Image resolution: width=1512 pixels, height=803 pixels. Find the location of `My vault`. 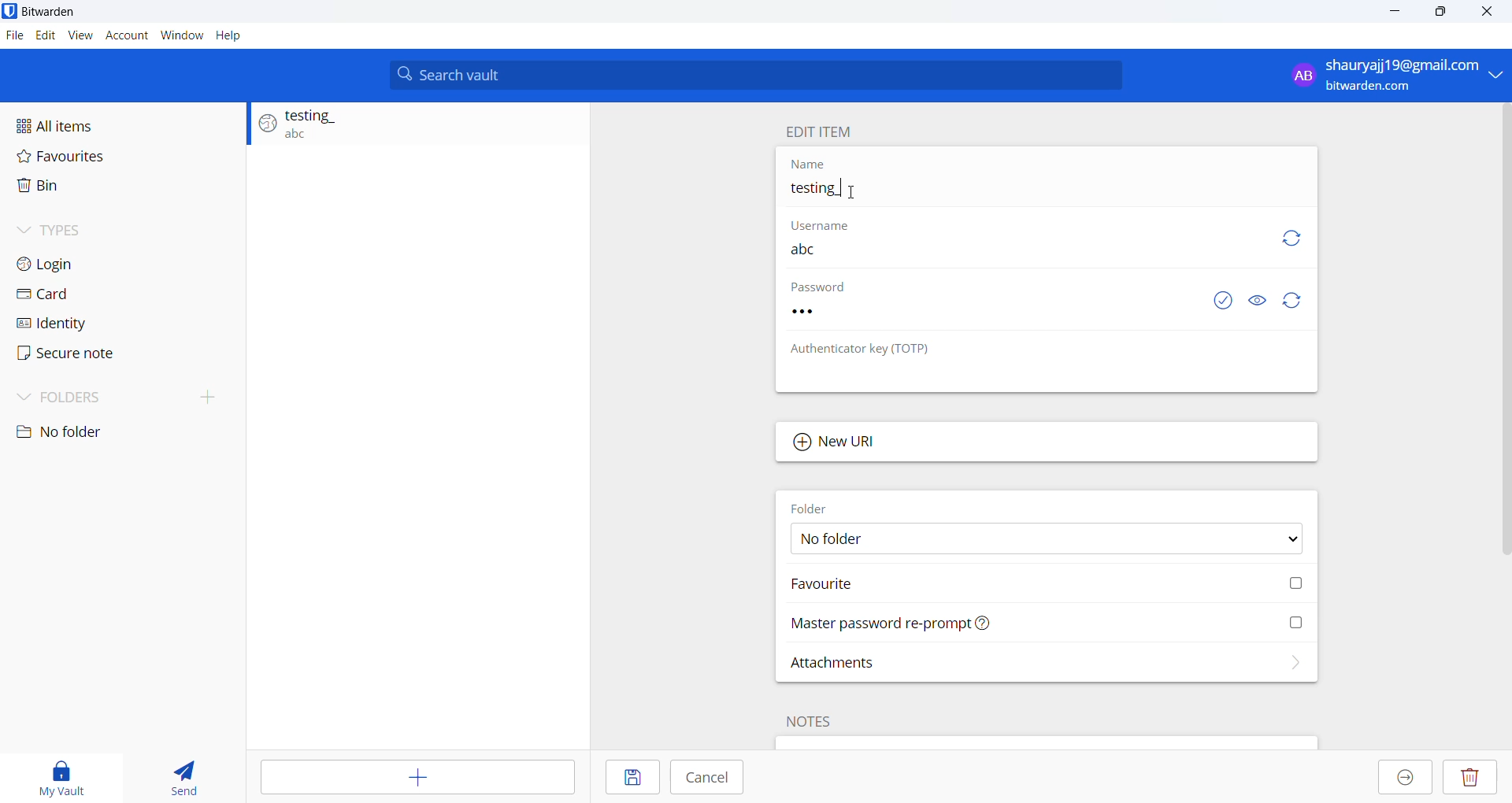

My vault is located at coordinates (69, 774).